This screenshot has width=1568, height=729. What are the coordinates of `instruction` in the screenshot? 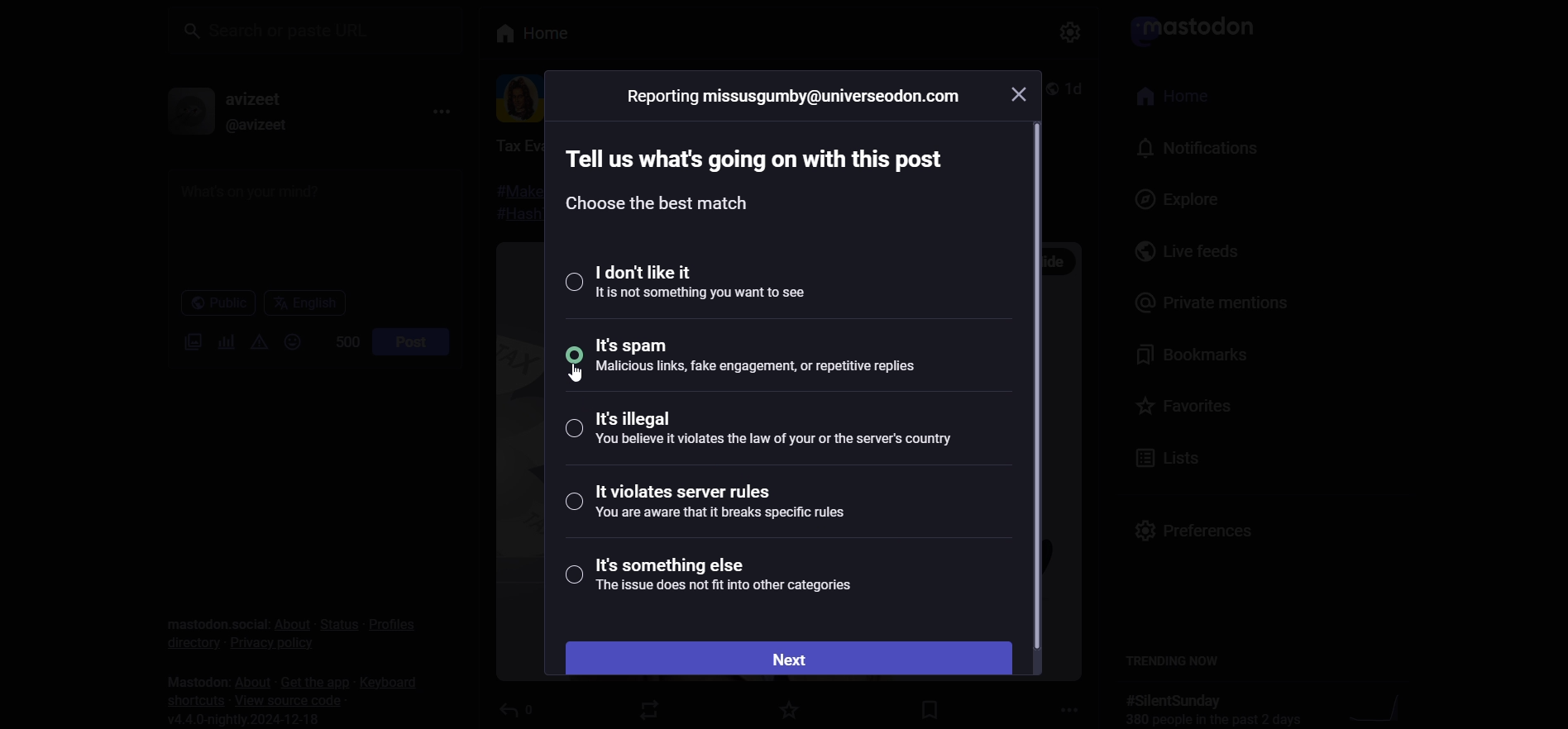 It's located at (760, 185).